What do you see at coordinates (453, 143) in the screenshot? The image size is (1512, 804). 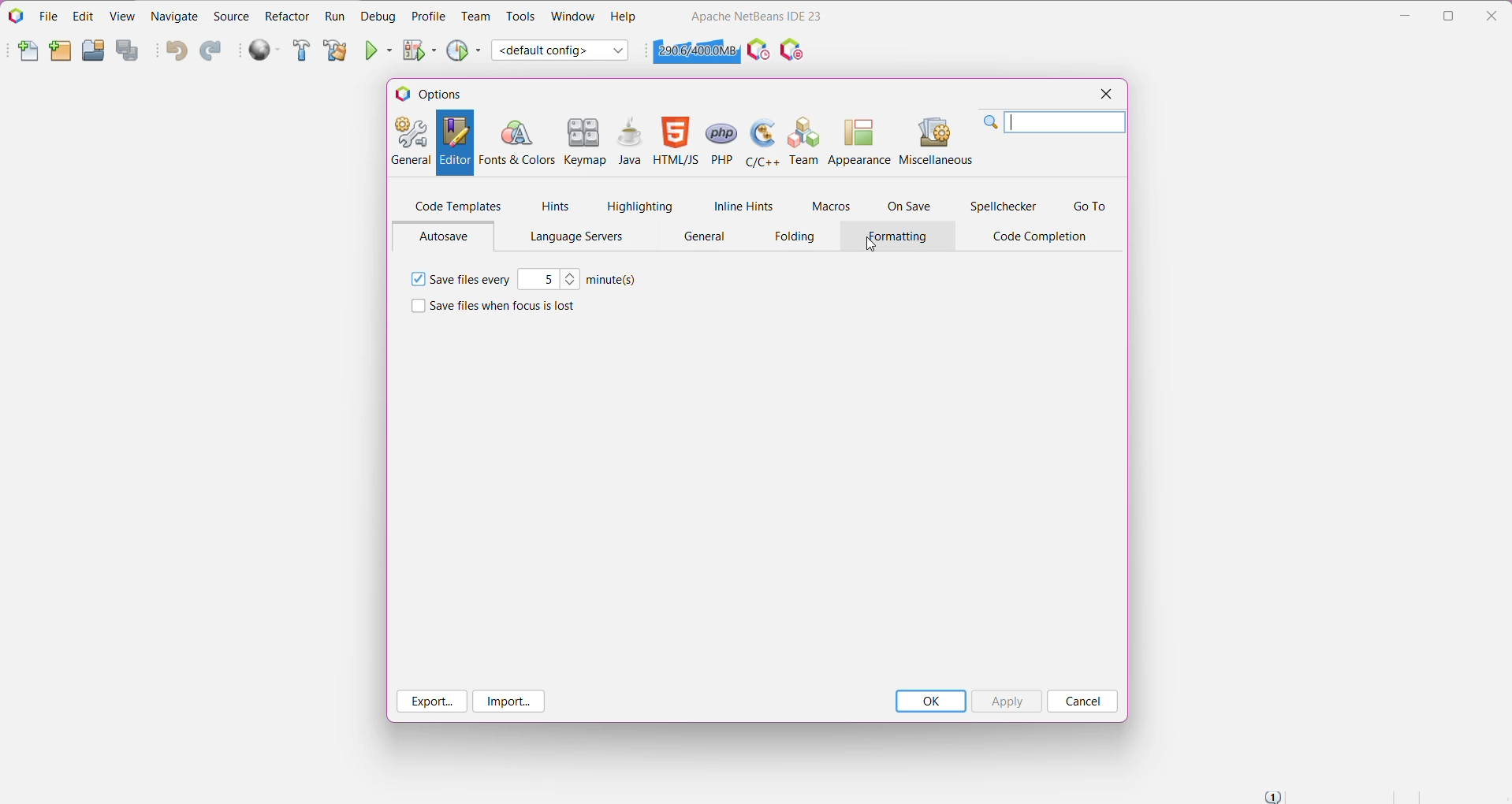 I see `Editor` at bounding box center [453, 143].